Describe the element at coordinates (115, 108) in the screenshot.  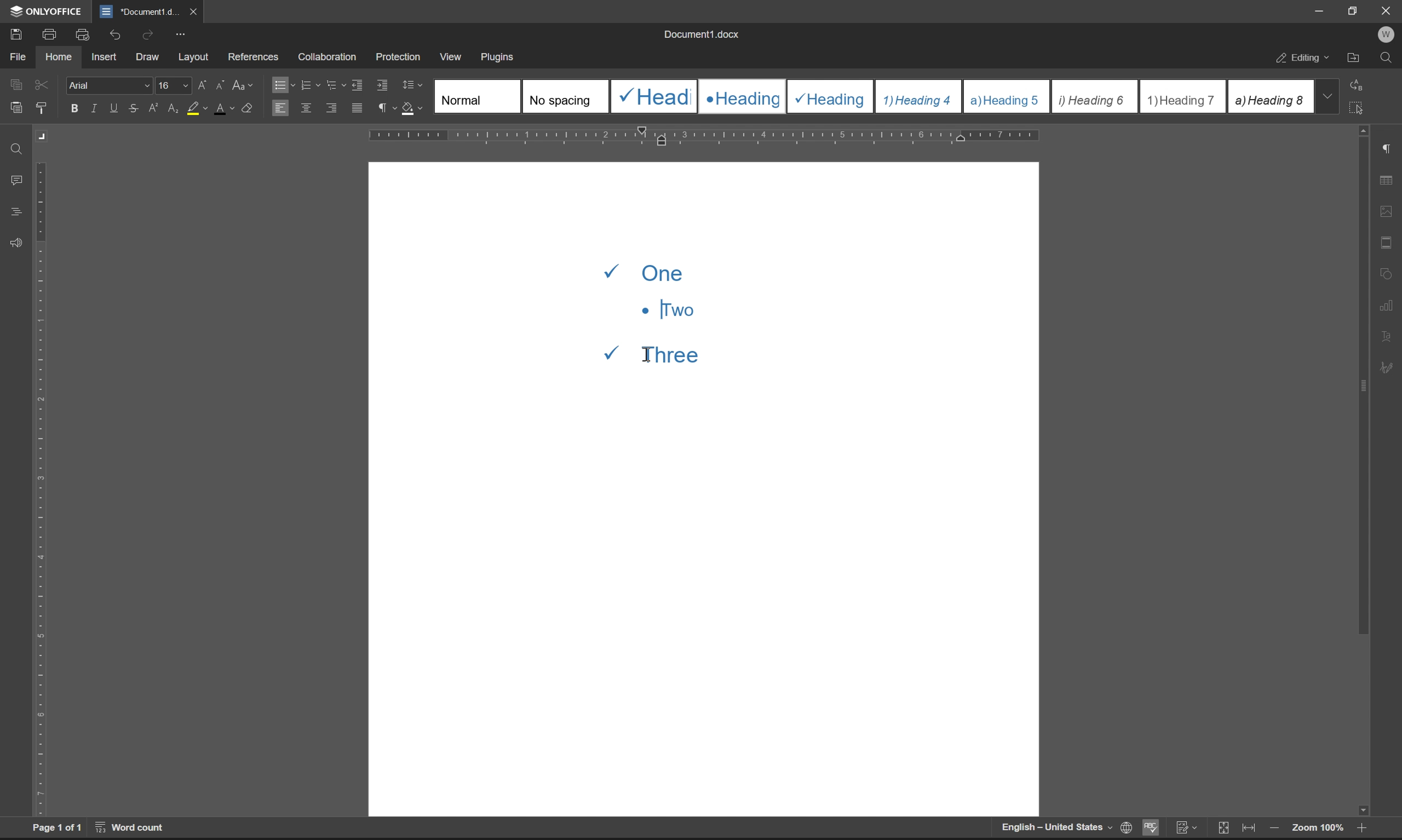
I see `underline` at that location.